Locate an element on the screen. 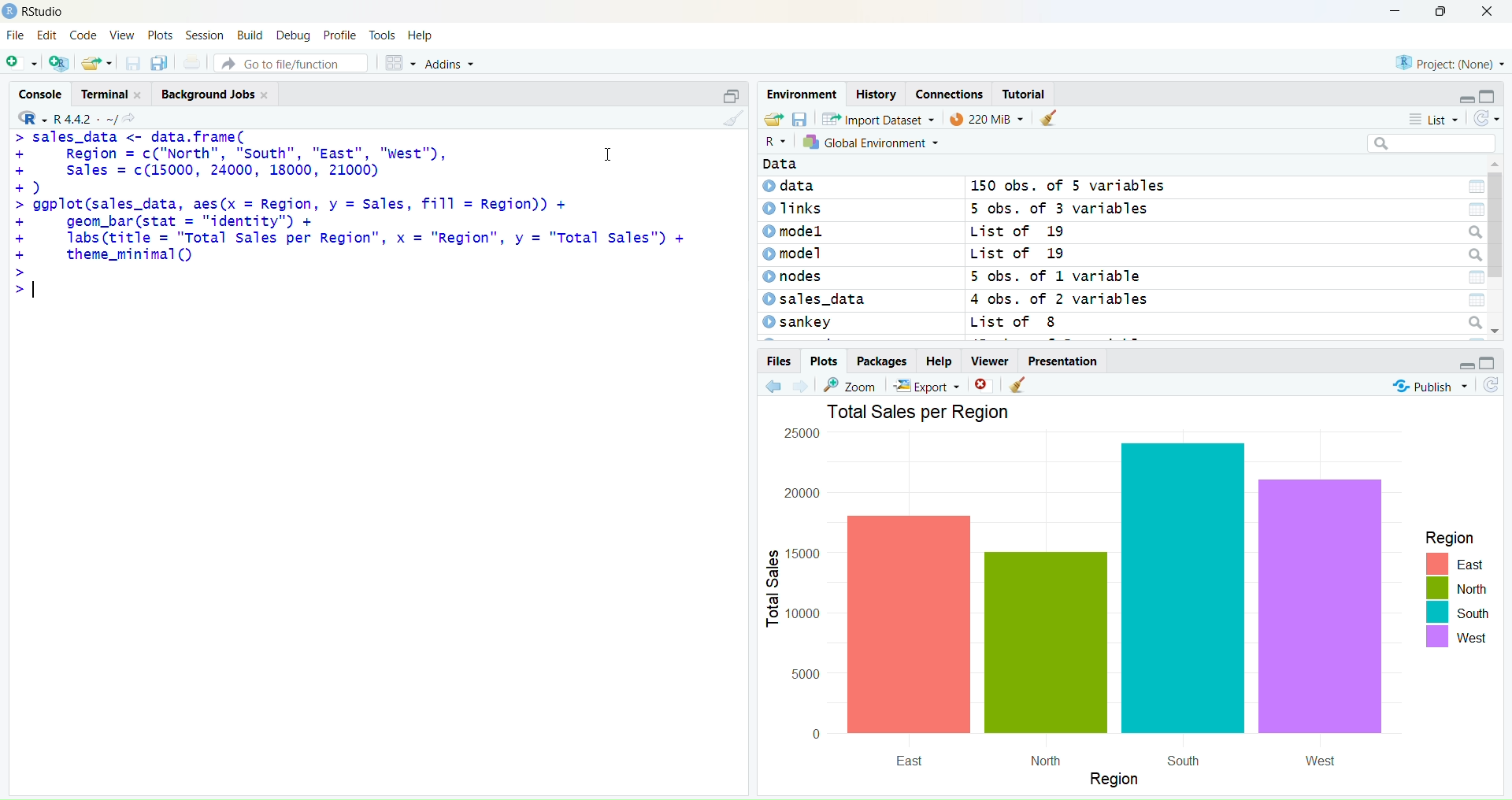 This screenshot has width=1512, height=800. Profile is located at coordinates (340, 36).